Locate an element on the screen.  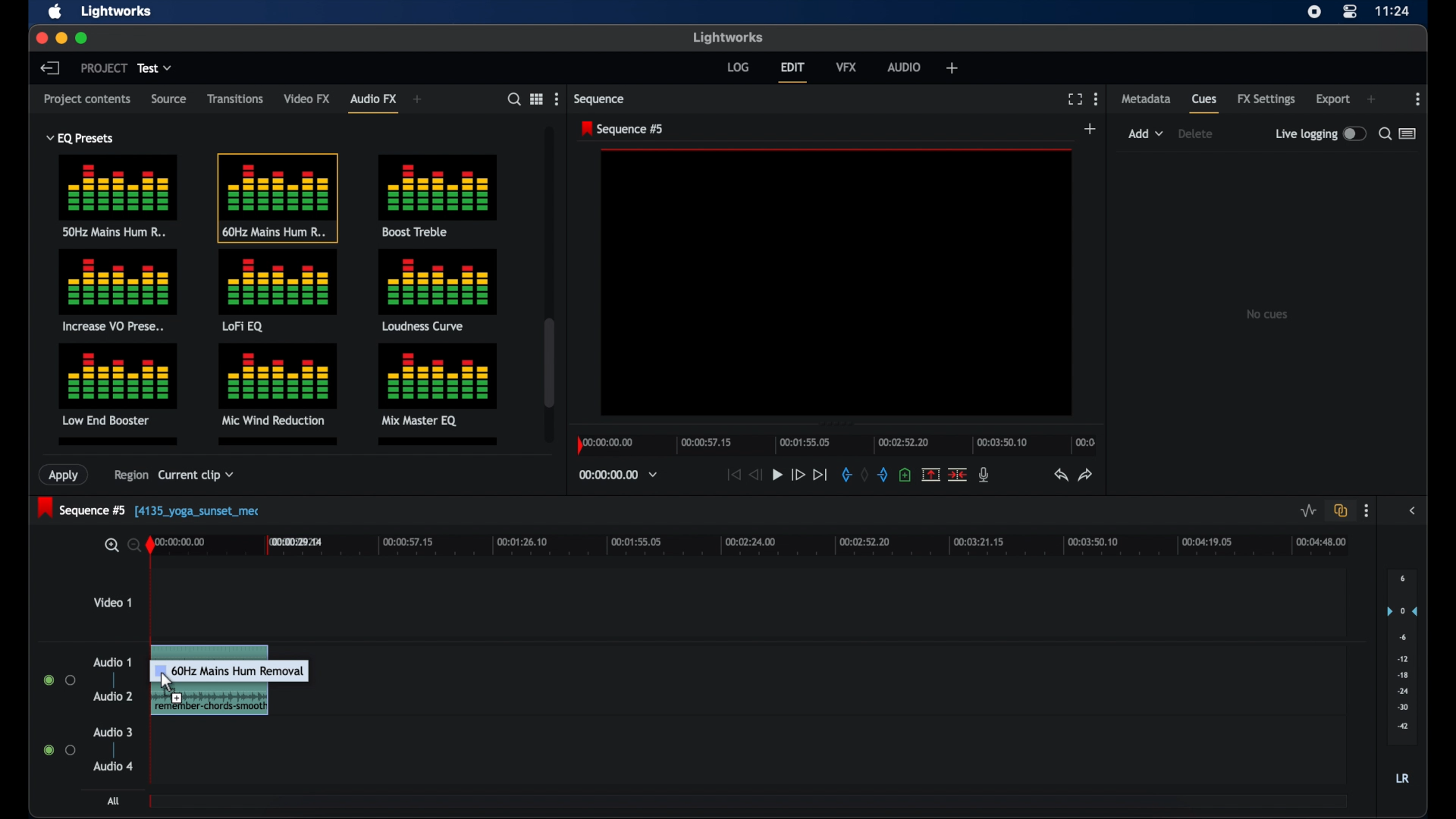
timeline scale is located at coordinates (763, 548).